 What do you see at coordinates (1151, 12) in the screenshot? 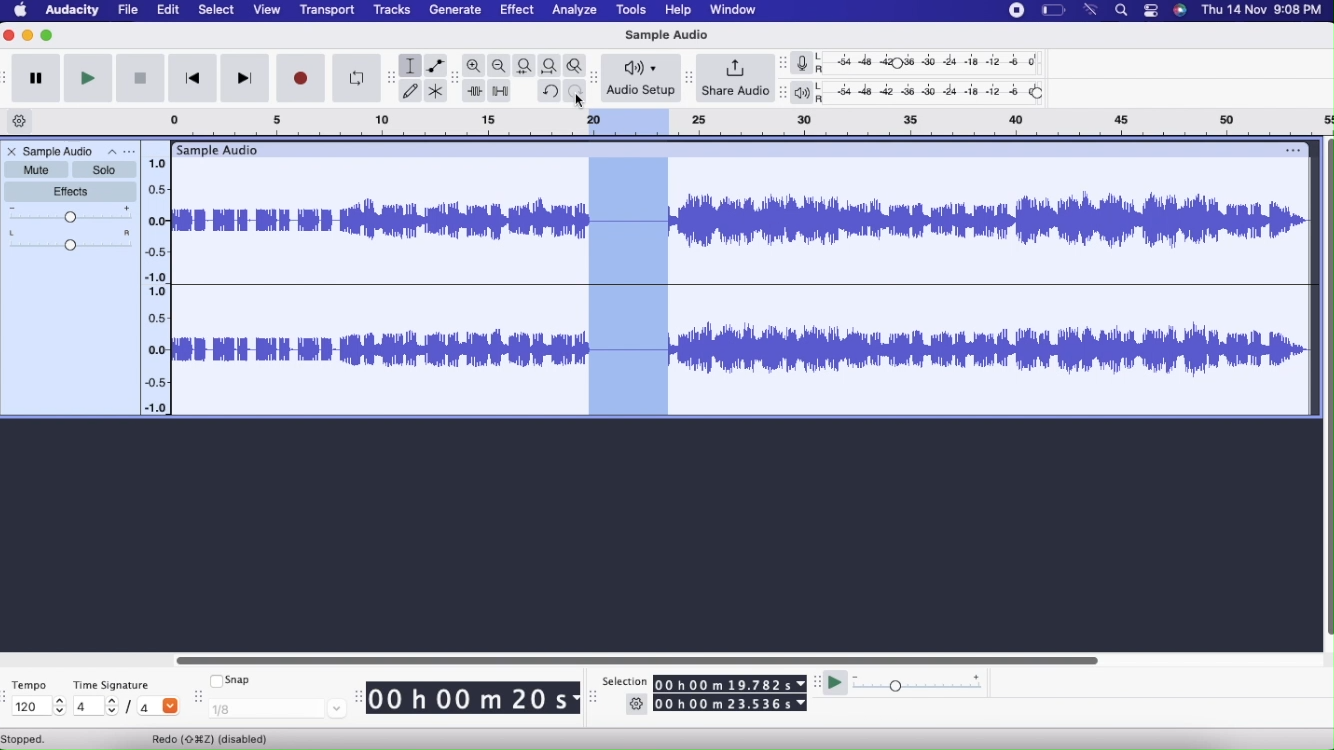
I see `control center` at bounding box center [1151, 12].